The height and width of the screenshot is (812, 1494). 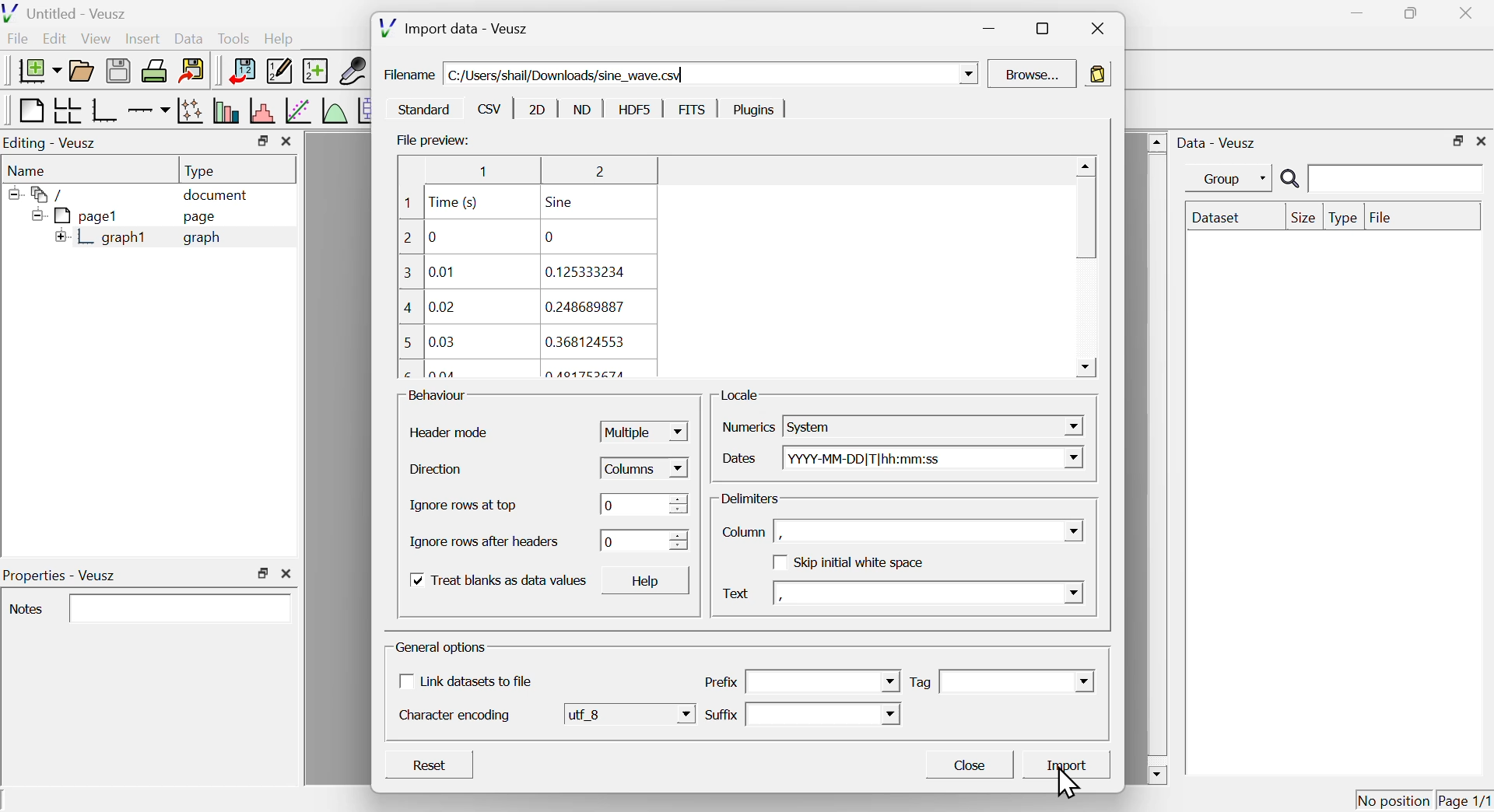 I want to click on csv, so click(x=489, y=109).